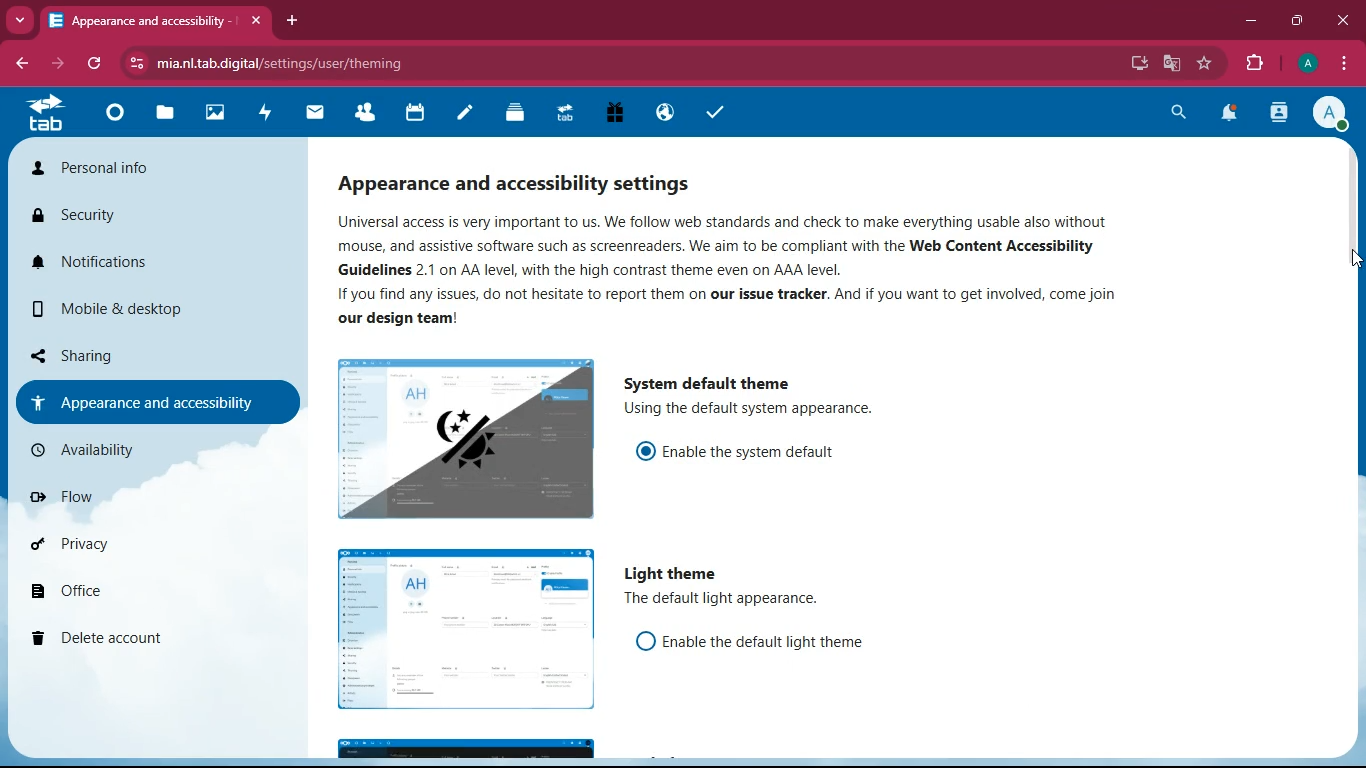 Image resolution: width=1366 pixels, height=768 pixels. What do you see at coordinates (613, 112) in the screenshot?
I see `gift` at bounding box center [613, 112].